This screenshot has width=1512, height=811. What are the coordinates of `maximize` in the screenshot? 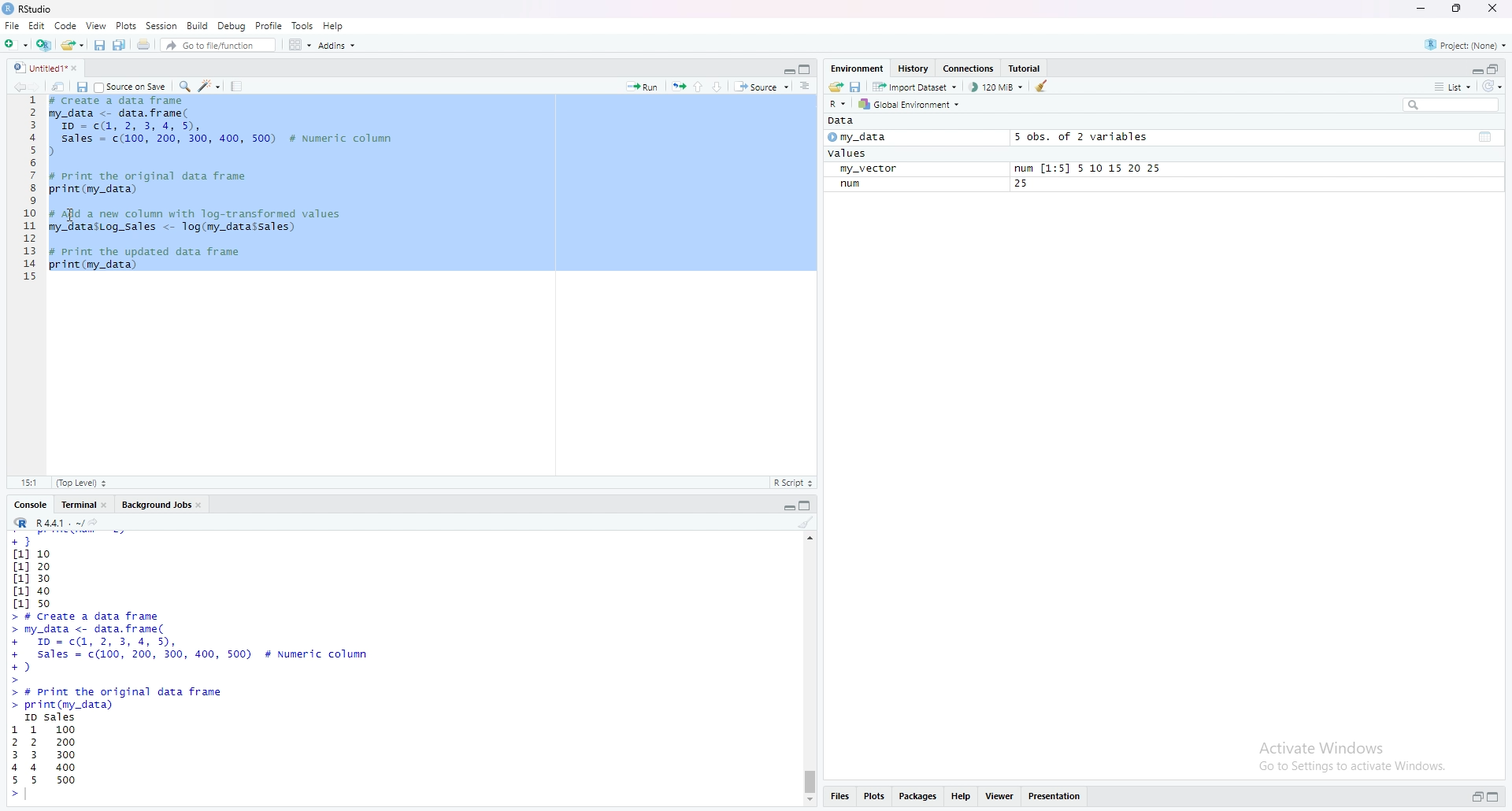 It's located at (808, 505).